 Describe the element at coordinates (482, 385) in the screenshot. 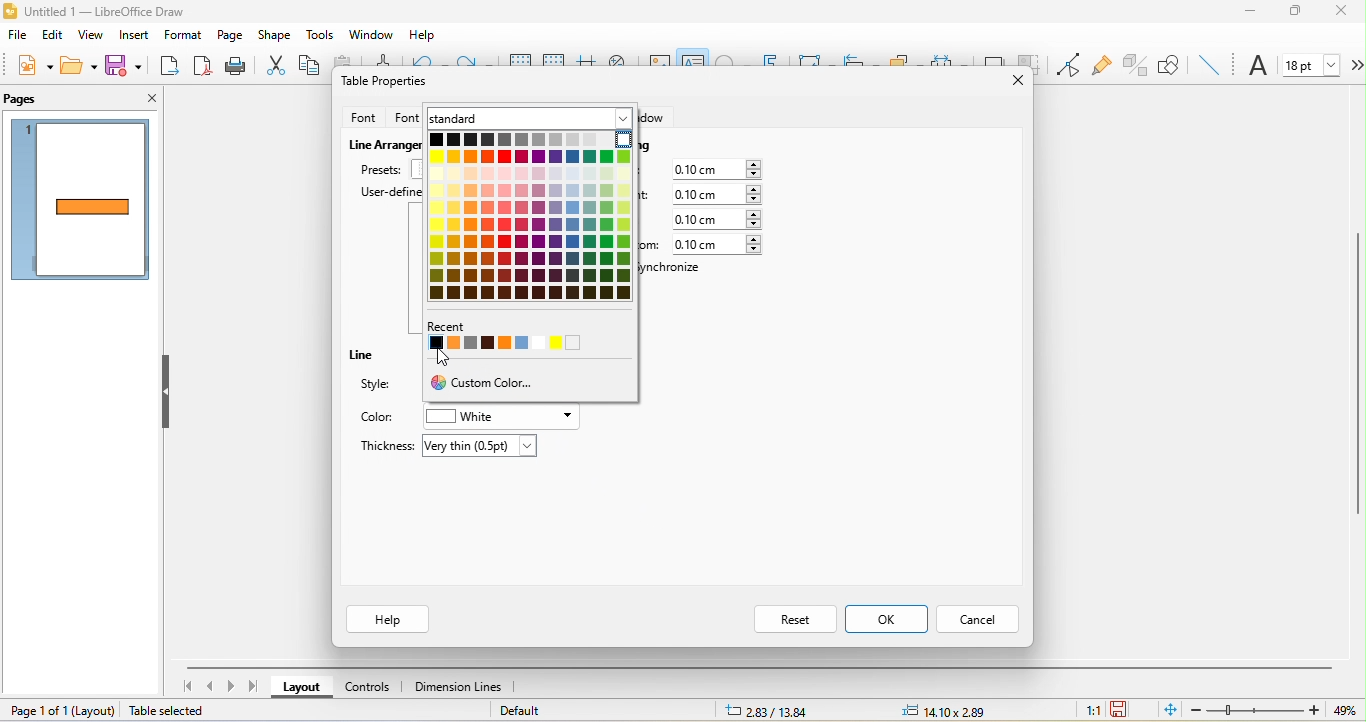

I see `custom color` at that location.